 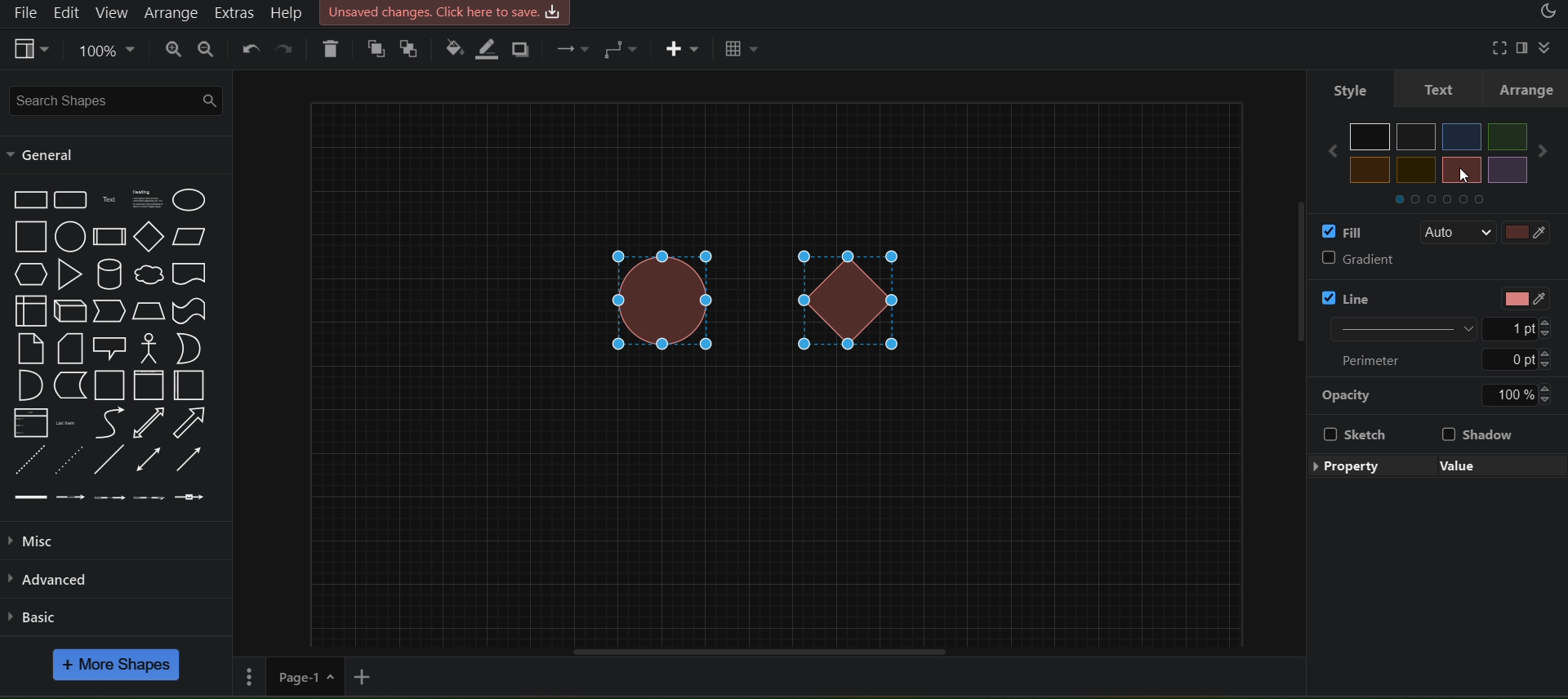 I want to click on zoom, so click(x=106, y=51).